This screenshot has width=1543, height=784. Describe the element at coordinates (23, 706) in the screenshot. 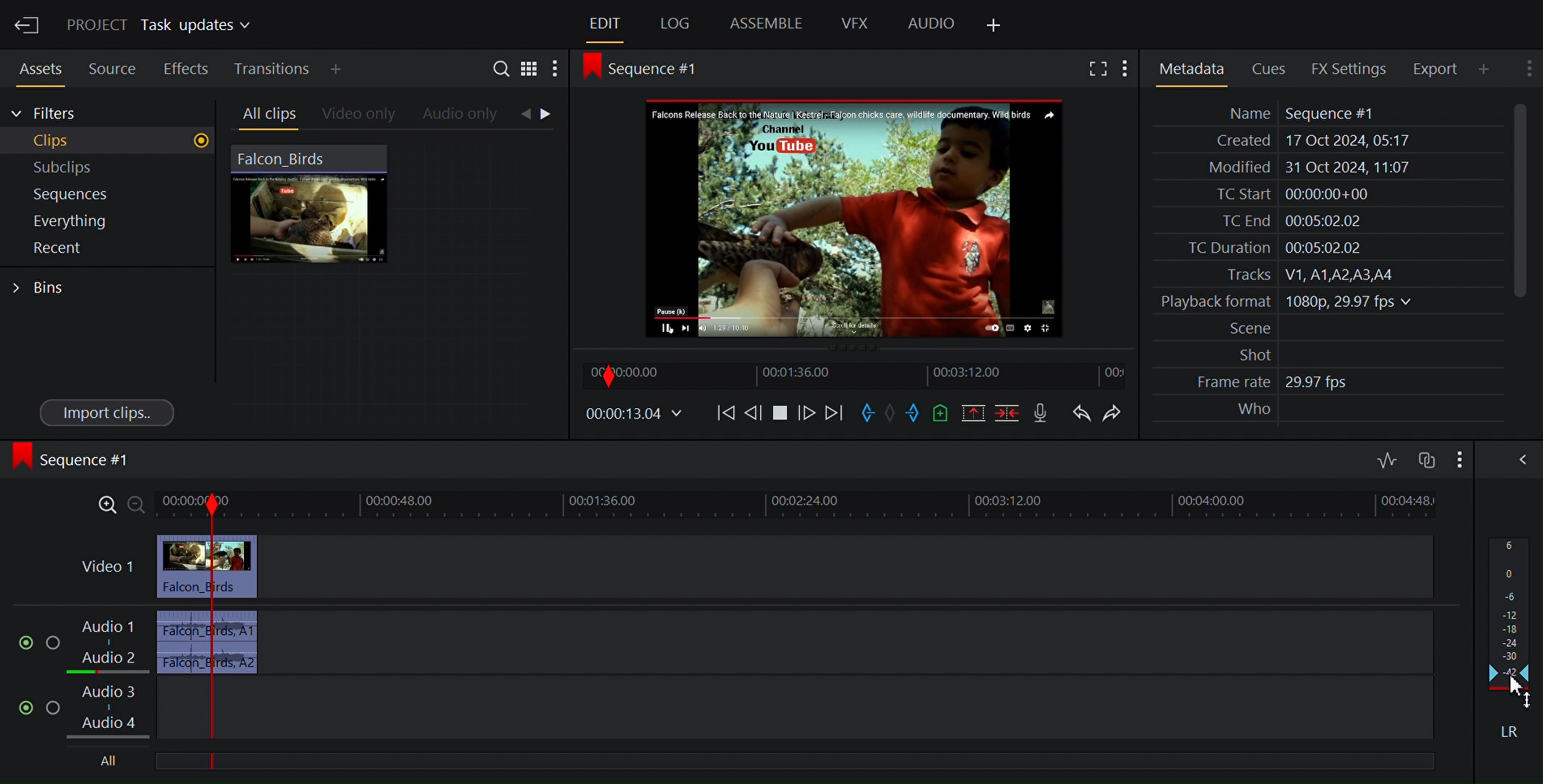

I see `Mute/unmute` at that location.